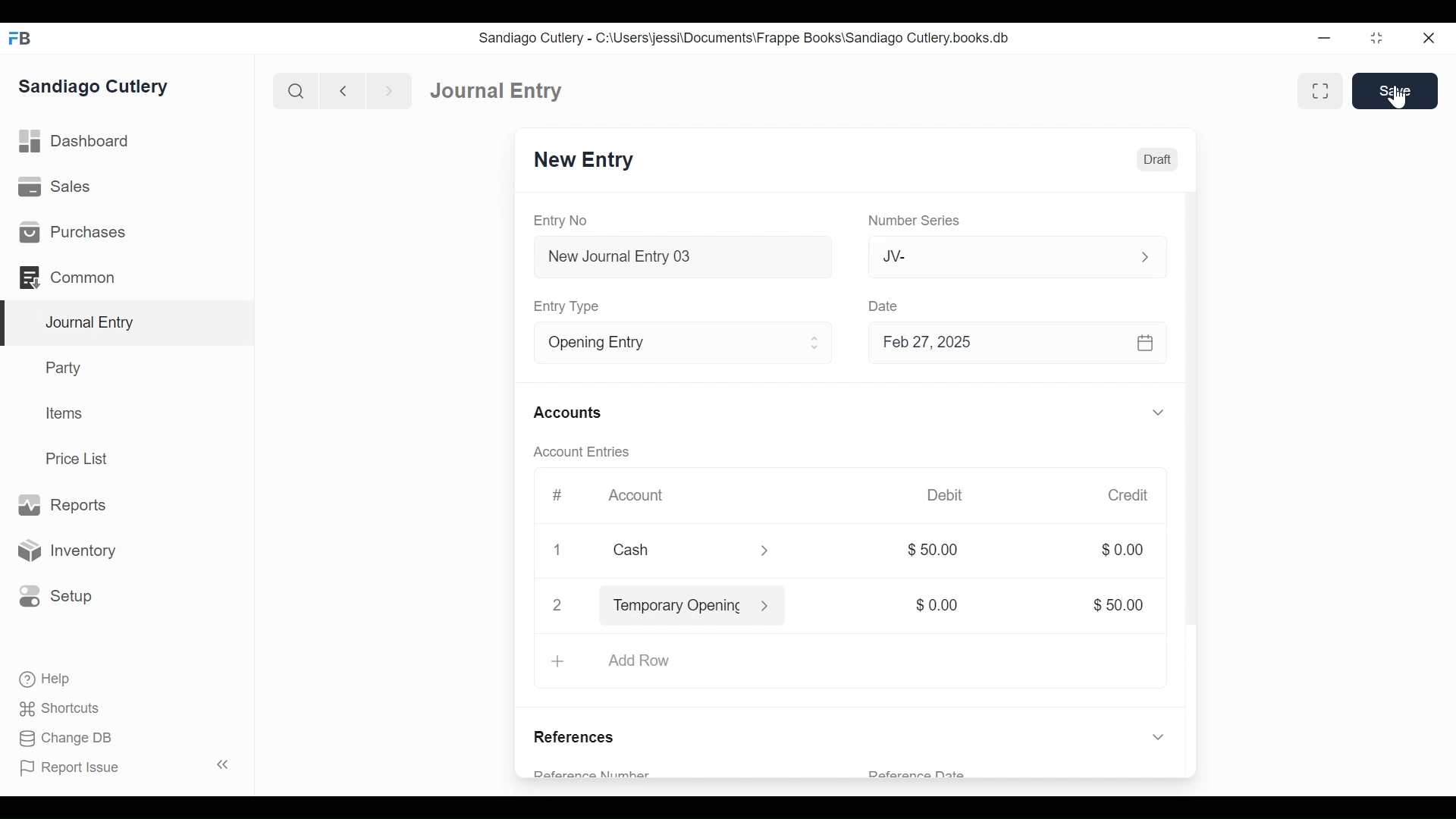  What do you see at coordinates (886, 306) in the screenshot?
I see `Date` at bounding box center [886, 306].